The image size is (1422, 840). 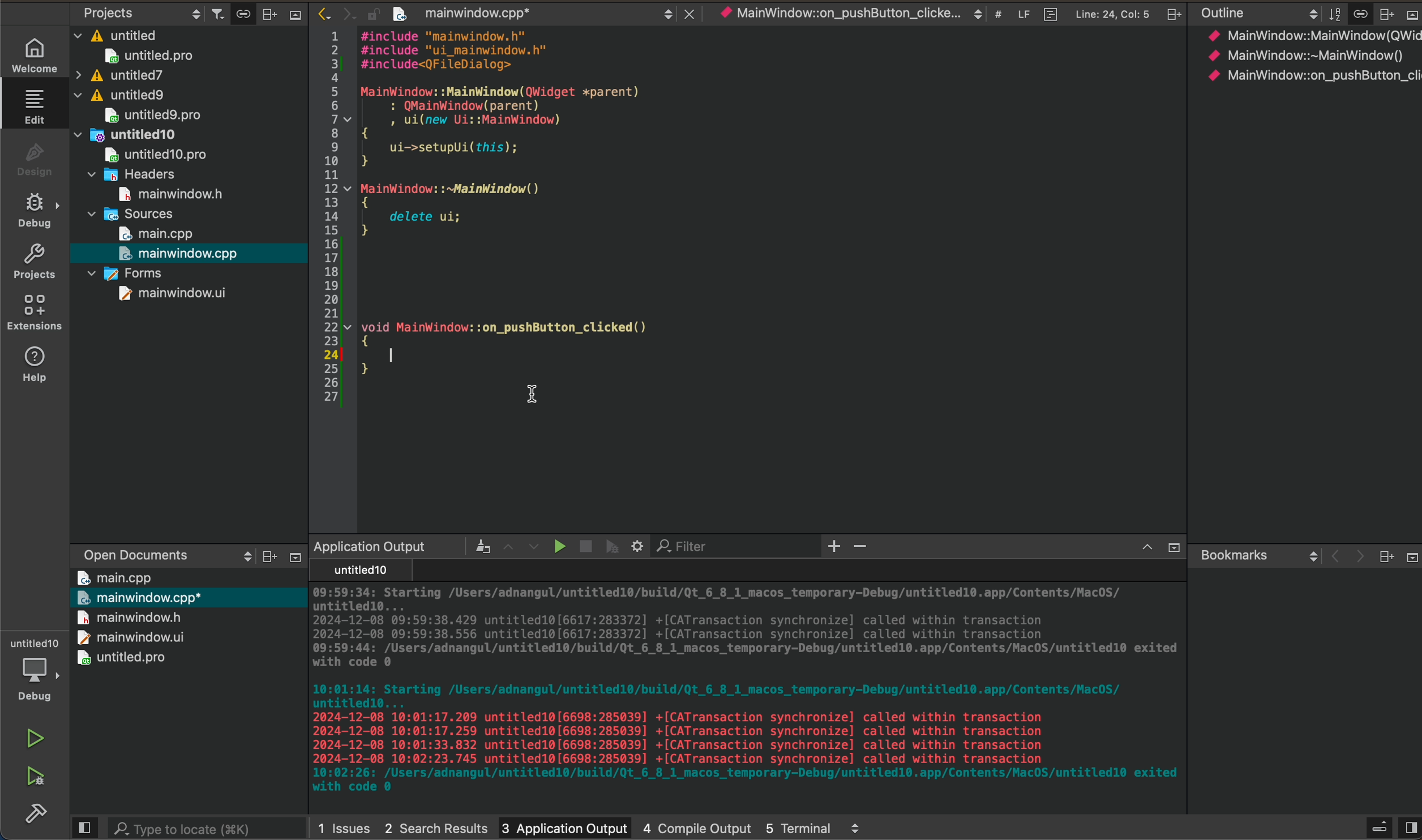 What do you see at coordinates (127, 551) in the screenshot?
I see `Open Documents` at bounding box center [127, 551].